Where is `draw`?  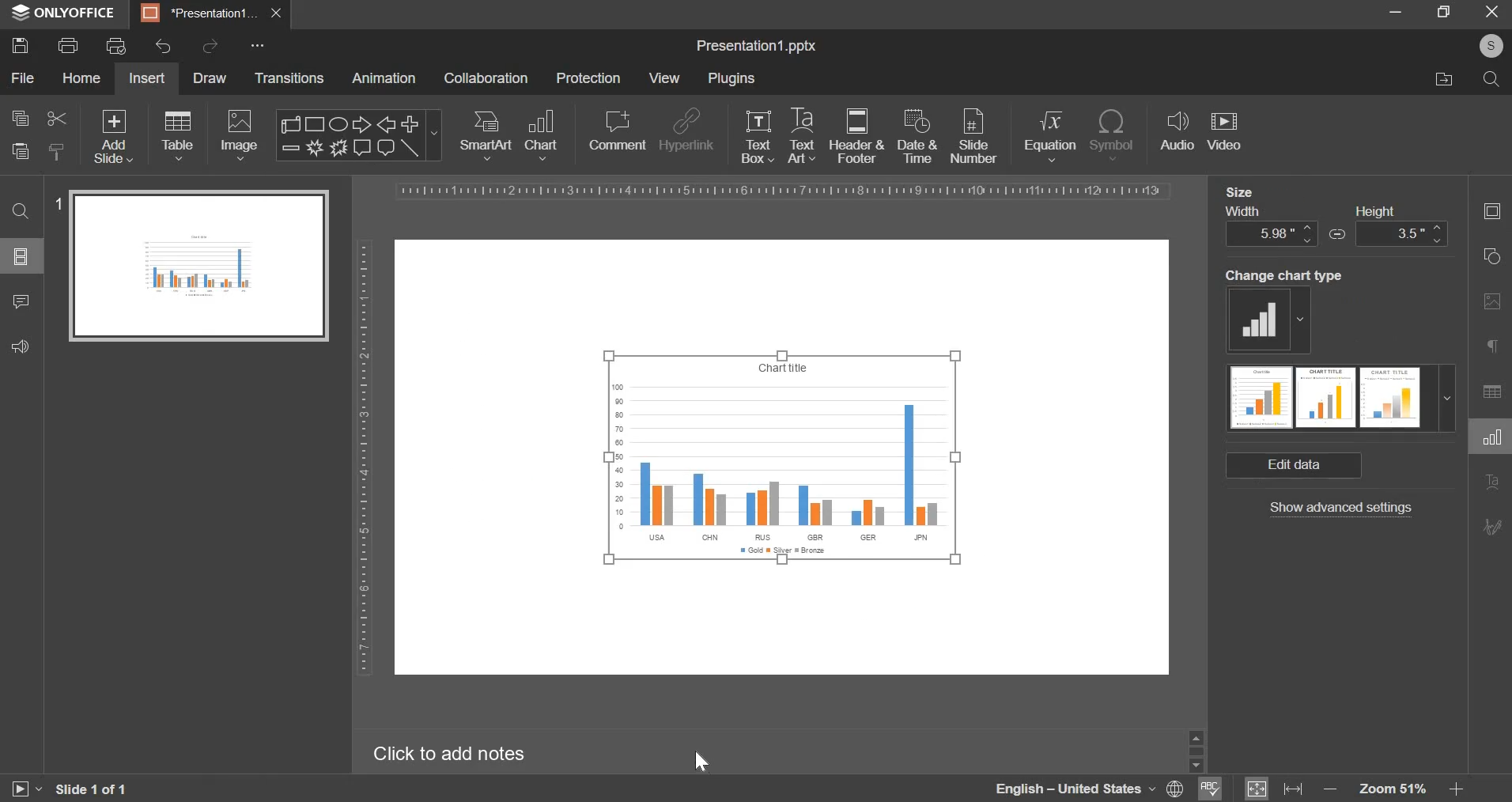 draw is located at coordinates (209, 78).